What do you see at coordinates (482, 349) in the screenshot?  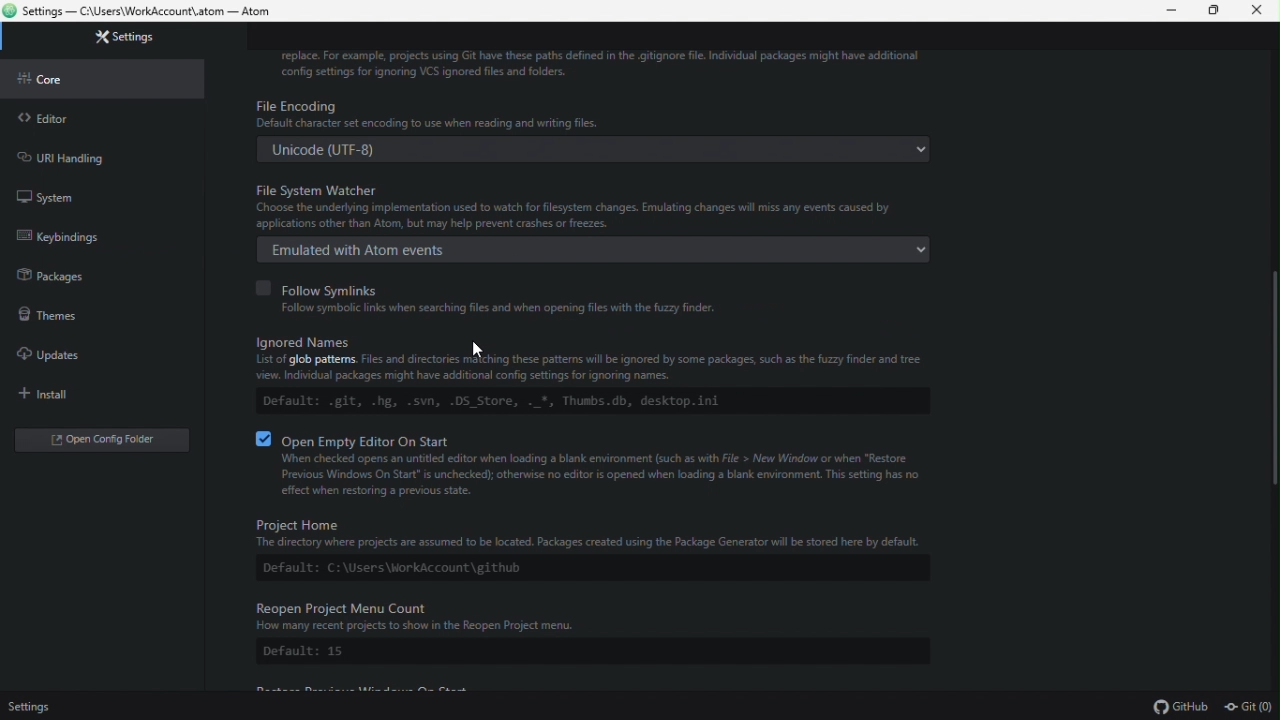 I see `cursor` at bounding box center [482, 349].